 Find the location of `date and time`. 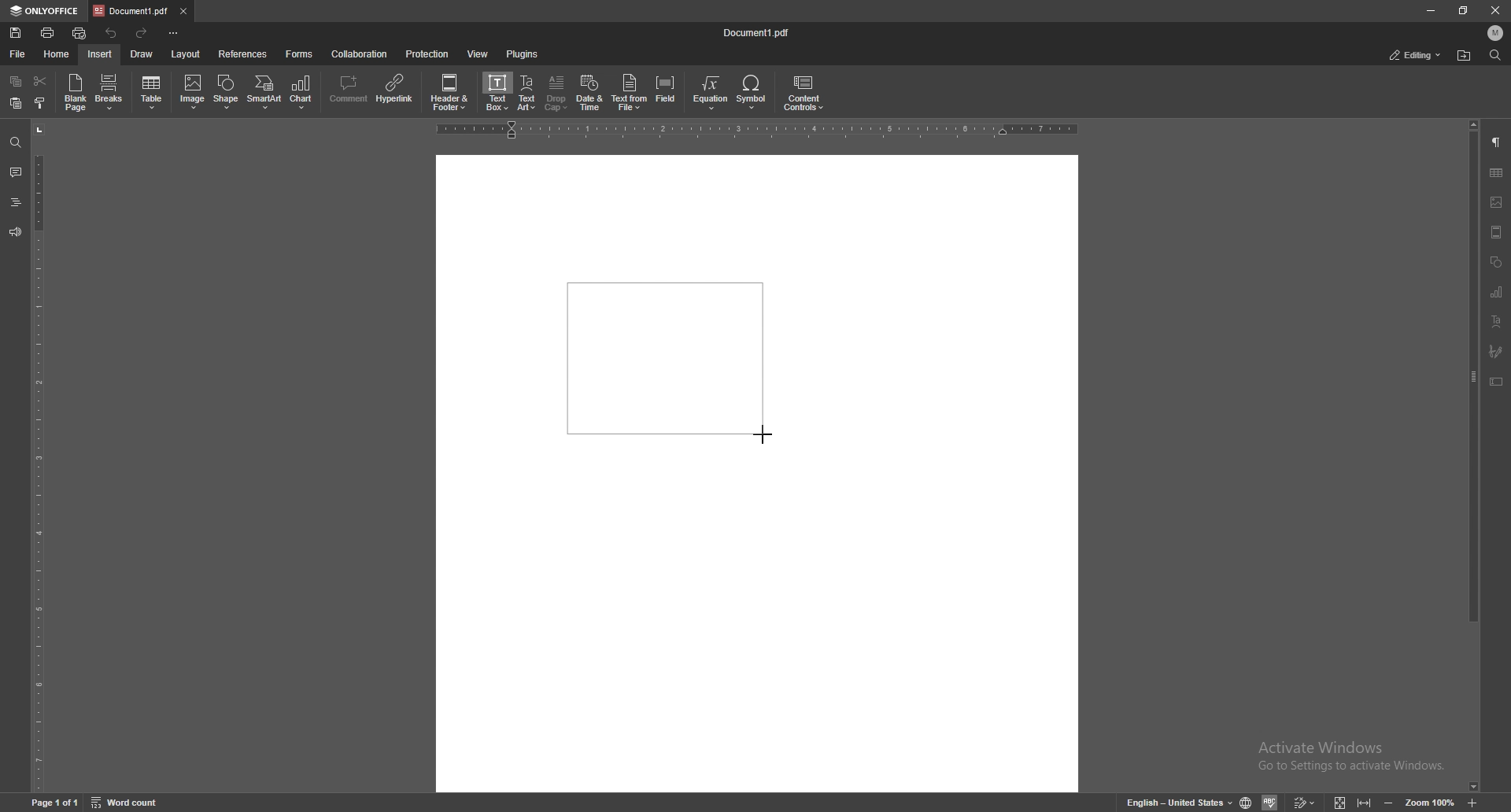

date and time is located at coordinates (589, 93).